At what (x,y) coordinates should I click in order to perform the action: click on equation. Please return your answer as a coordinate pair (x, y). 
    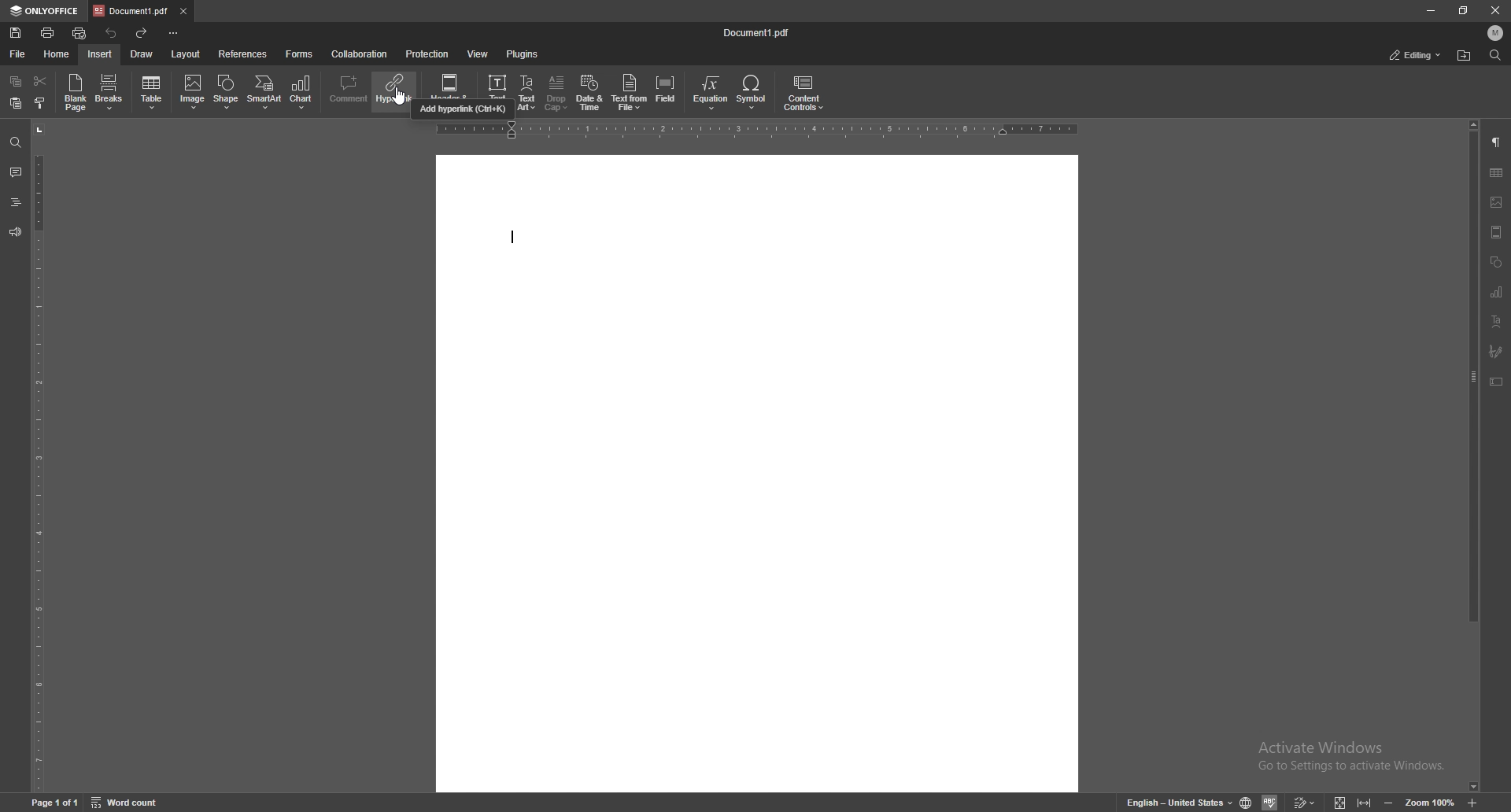
    Looking at the image, I should click on (713, 93).